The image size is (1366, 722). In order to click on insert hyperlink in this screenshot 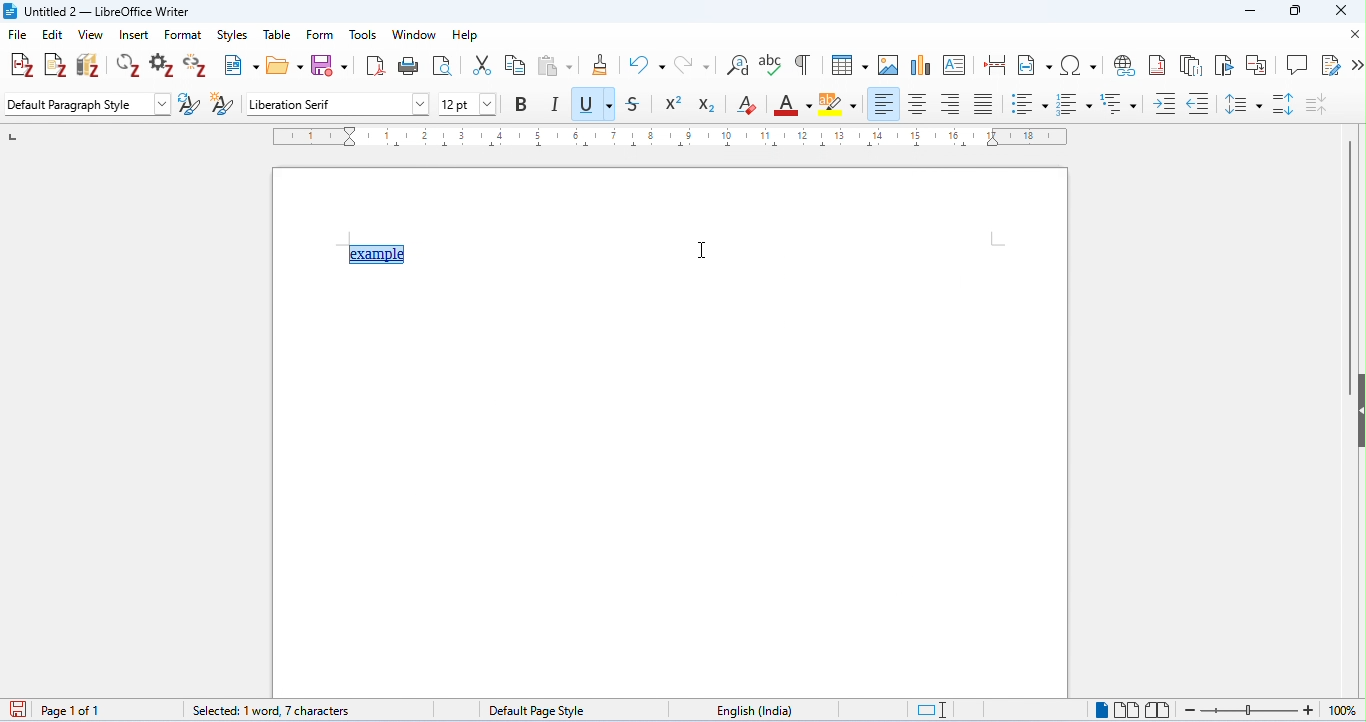, I will do `click(1122, 62)`.